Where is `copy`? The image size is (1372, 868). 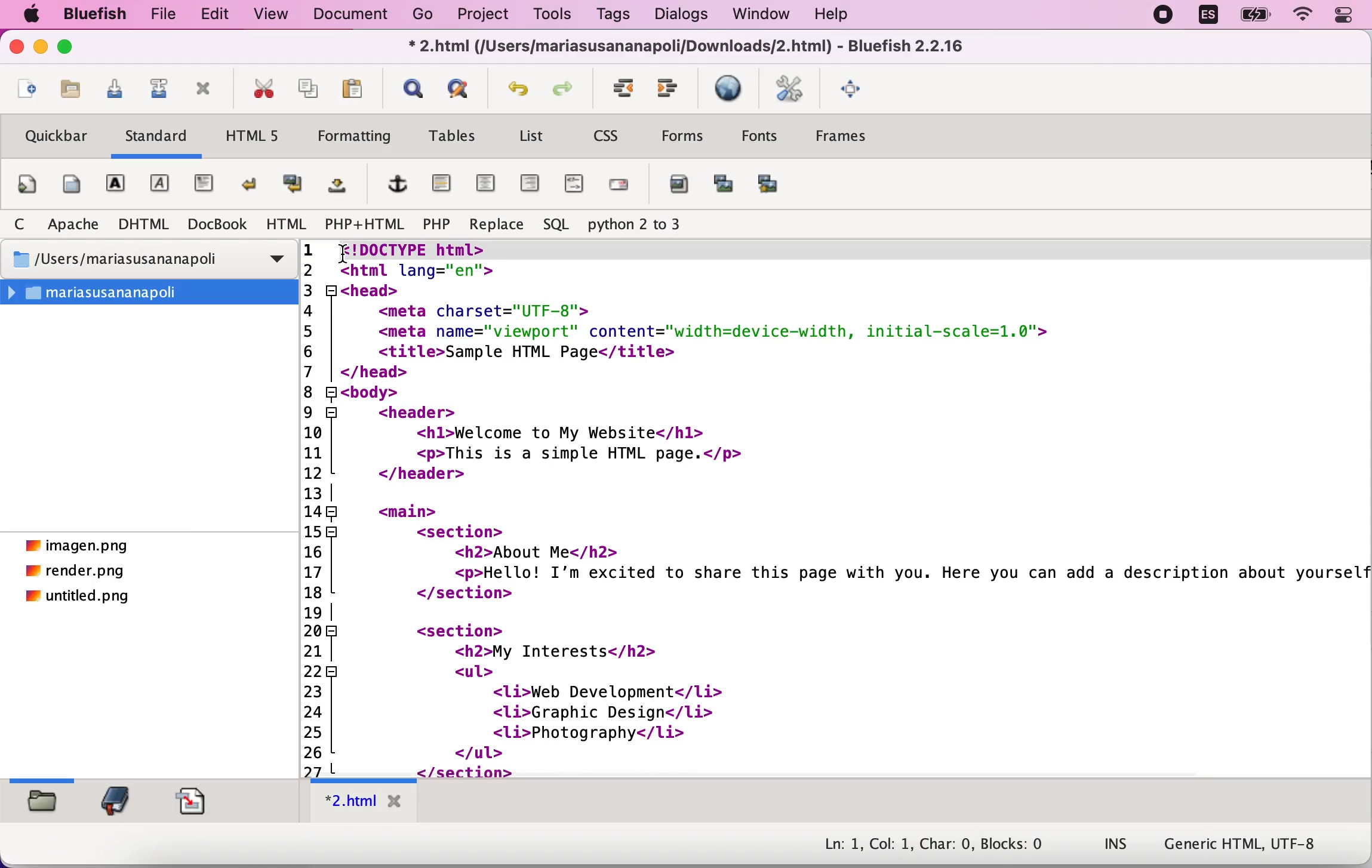
copy is located at coordinates (309, 84).